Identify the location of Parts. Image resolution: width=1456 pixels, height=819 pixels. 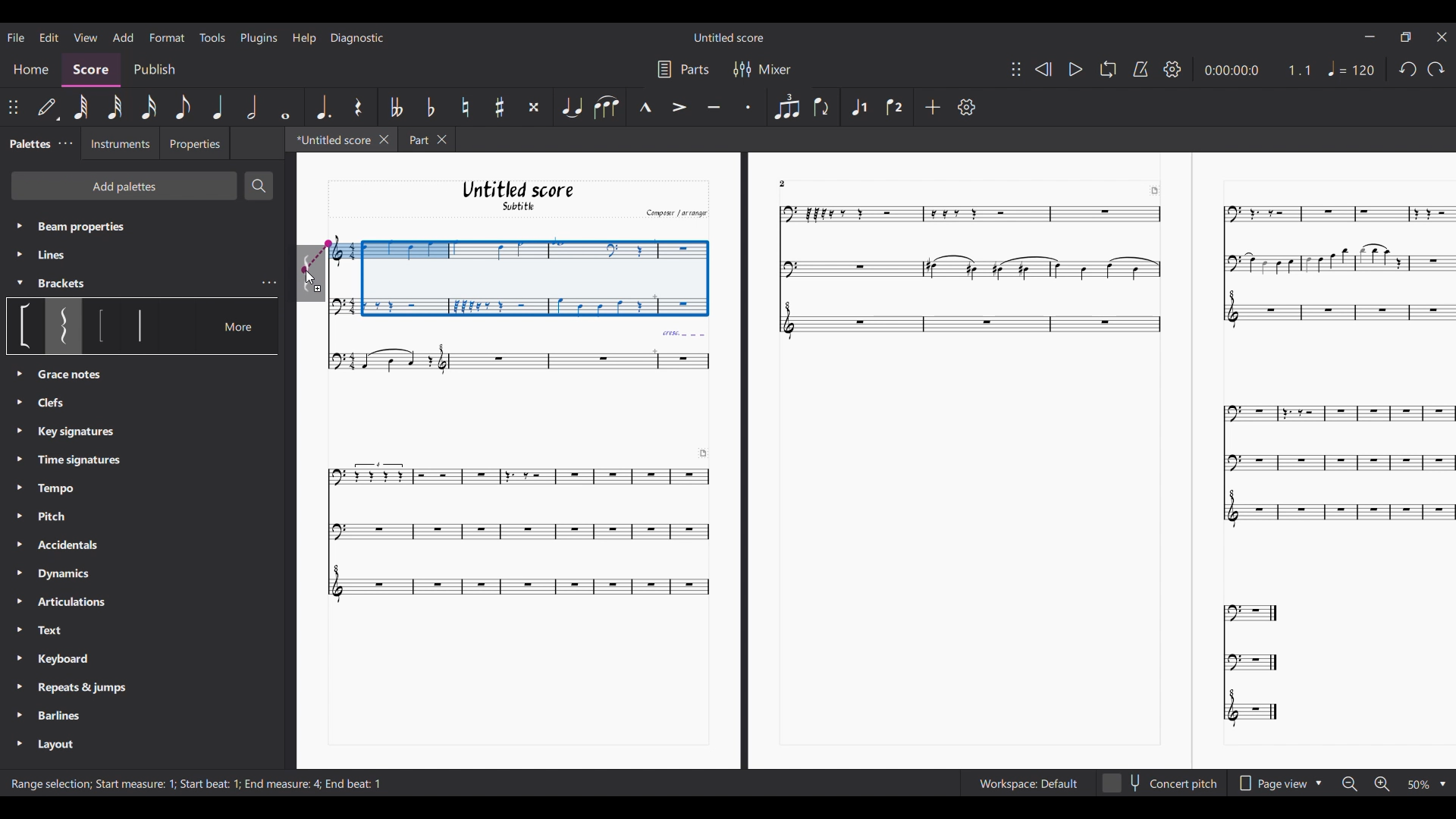
(695, 69).